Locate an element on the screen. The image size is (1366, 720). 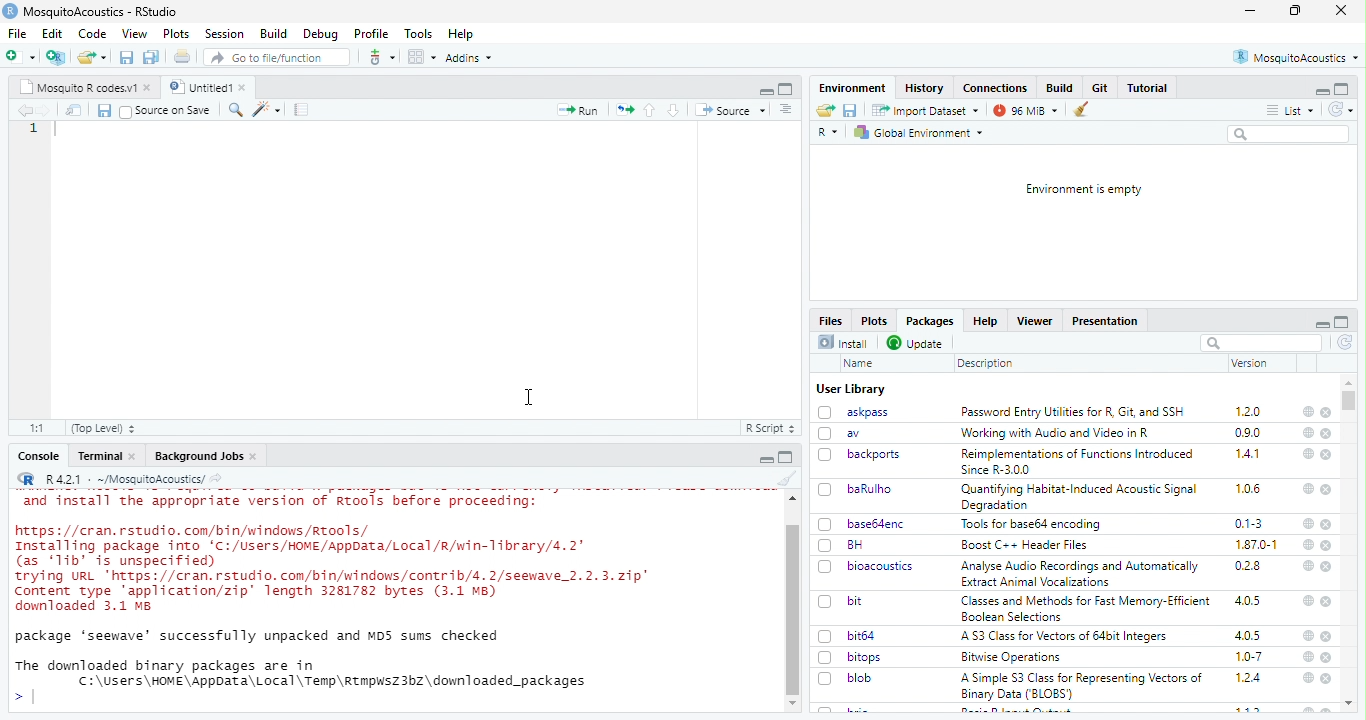
1870-1 is located at coordinates (1257, 545).